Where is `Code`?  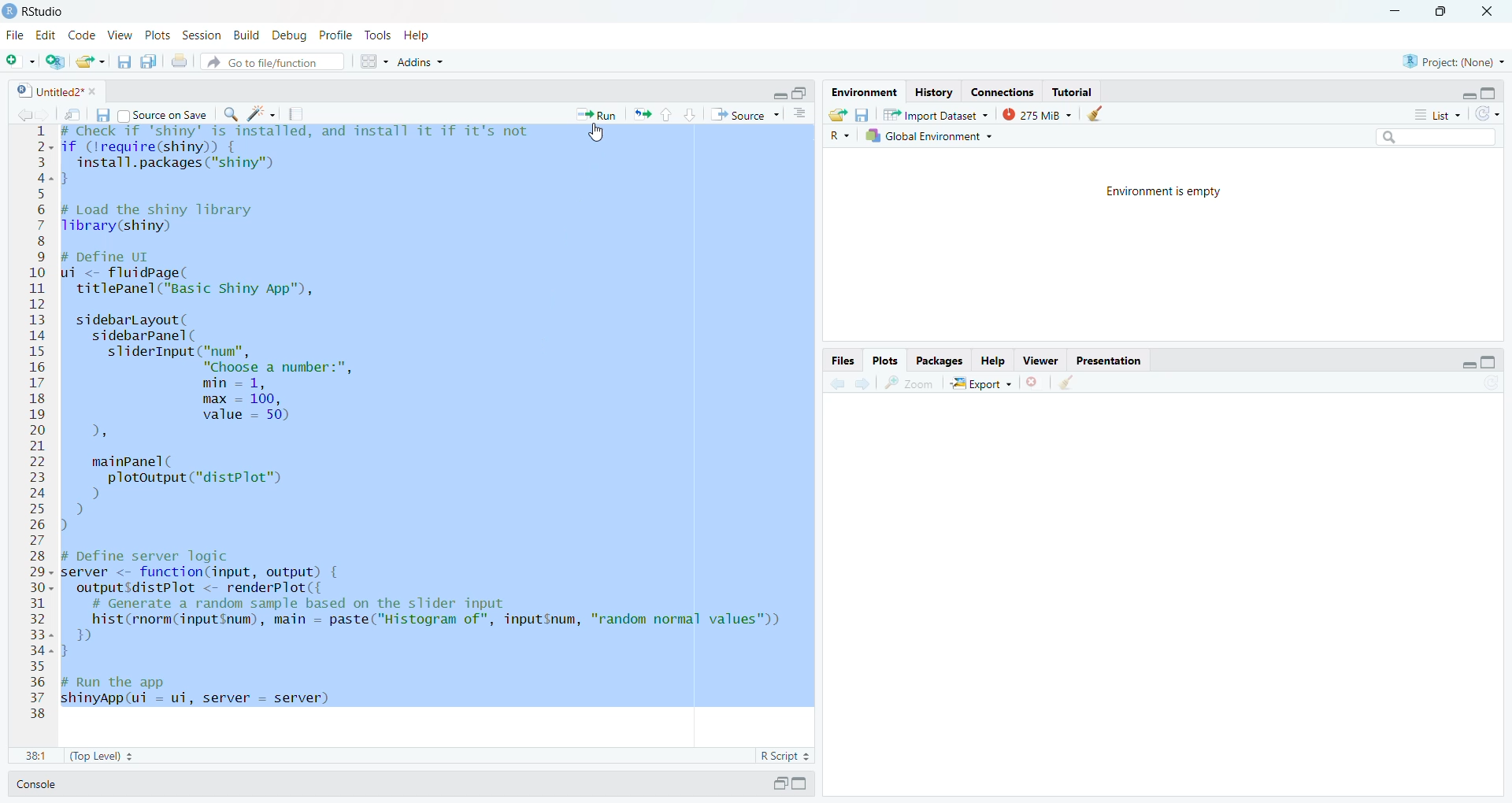
Code is located at coordinates (83, 35).